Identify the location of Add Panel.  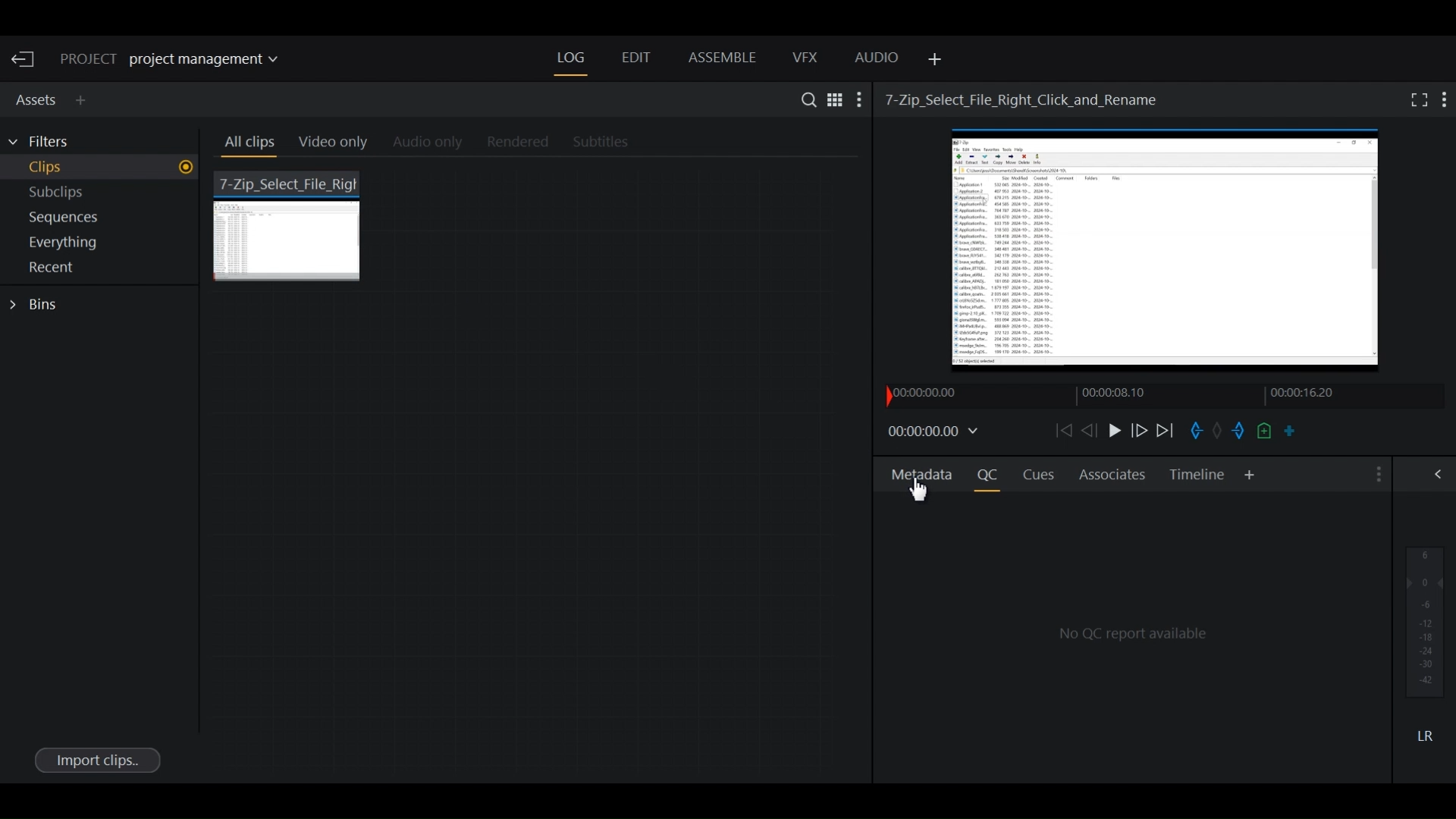
(1250, 475).